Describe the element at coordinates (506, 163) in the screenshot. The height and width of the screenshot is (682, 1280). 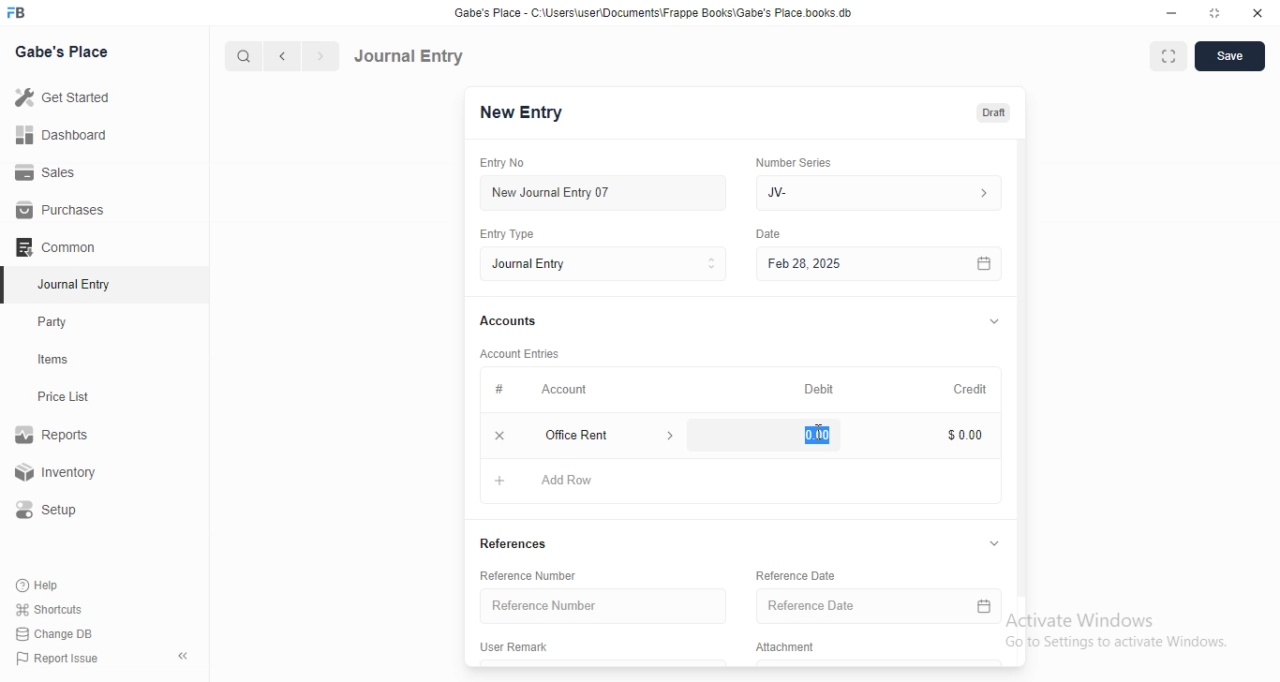
I see `Entry No` at that location.